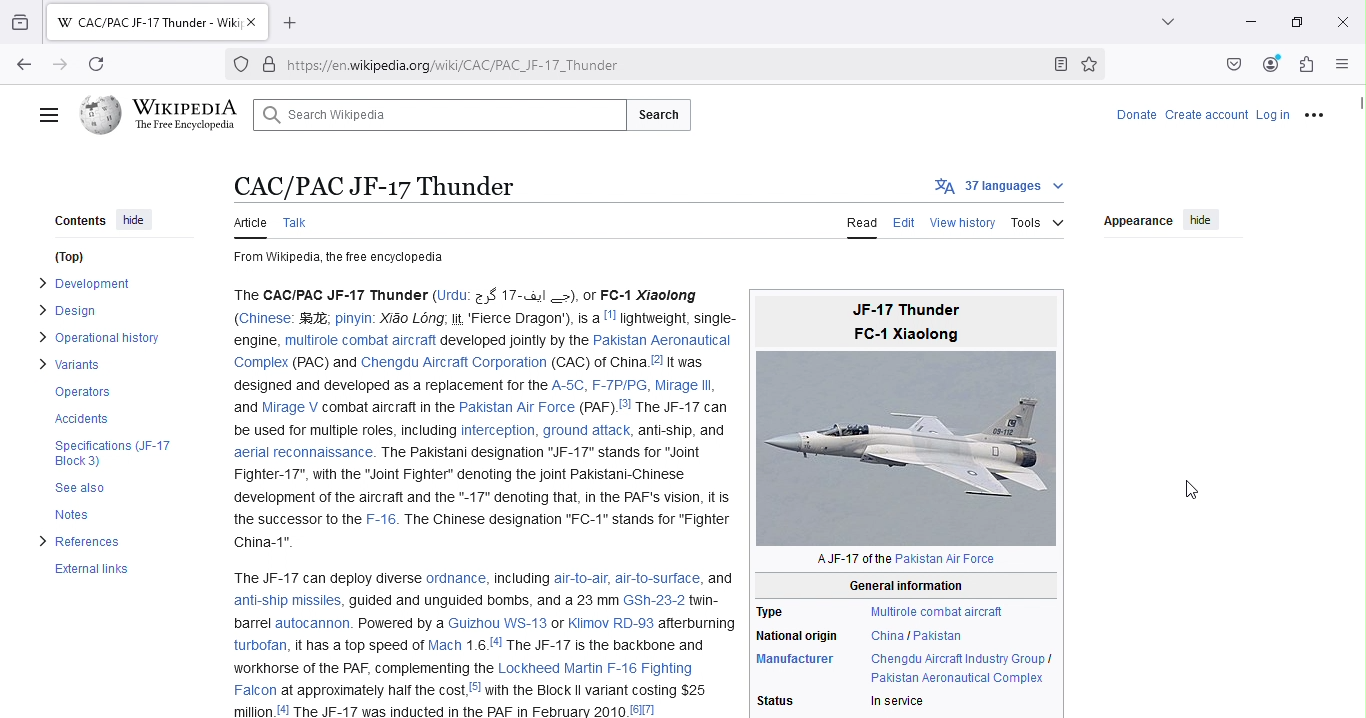  Describe the element at coordinates (1315, 116) in the screenshot. I see `options` at that location.